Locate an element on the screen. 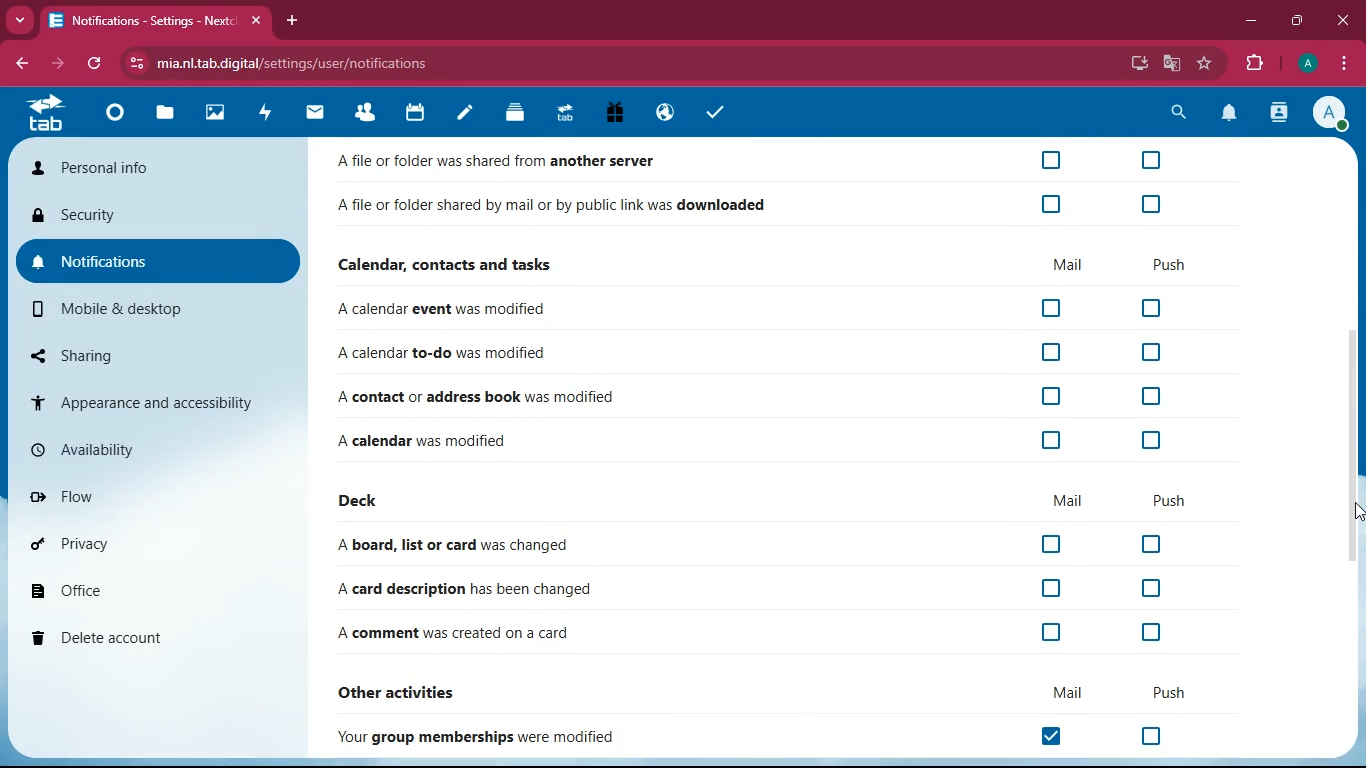 The width and height of the screenshot is (1366, 768). off is located at coordinates (1051, 160).